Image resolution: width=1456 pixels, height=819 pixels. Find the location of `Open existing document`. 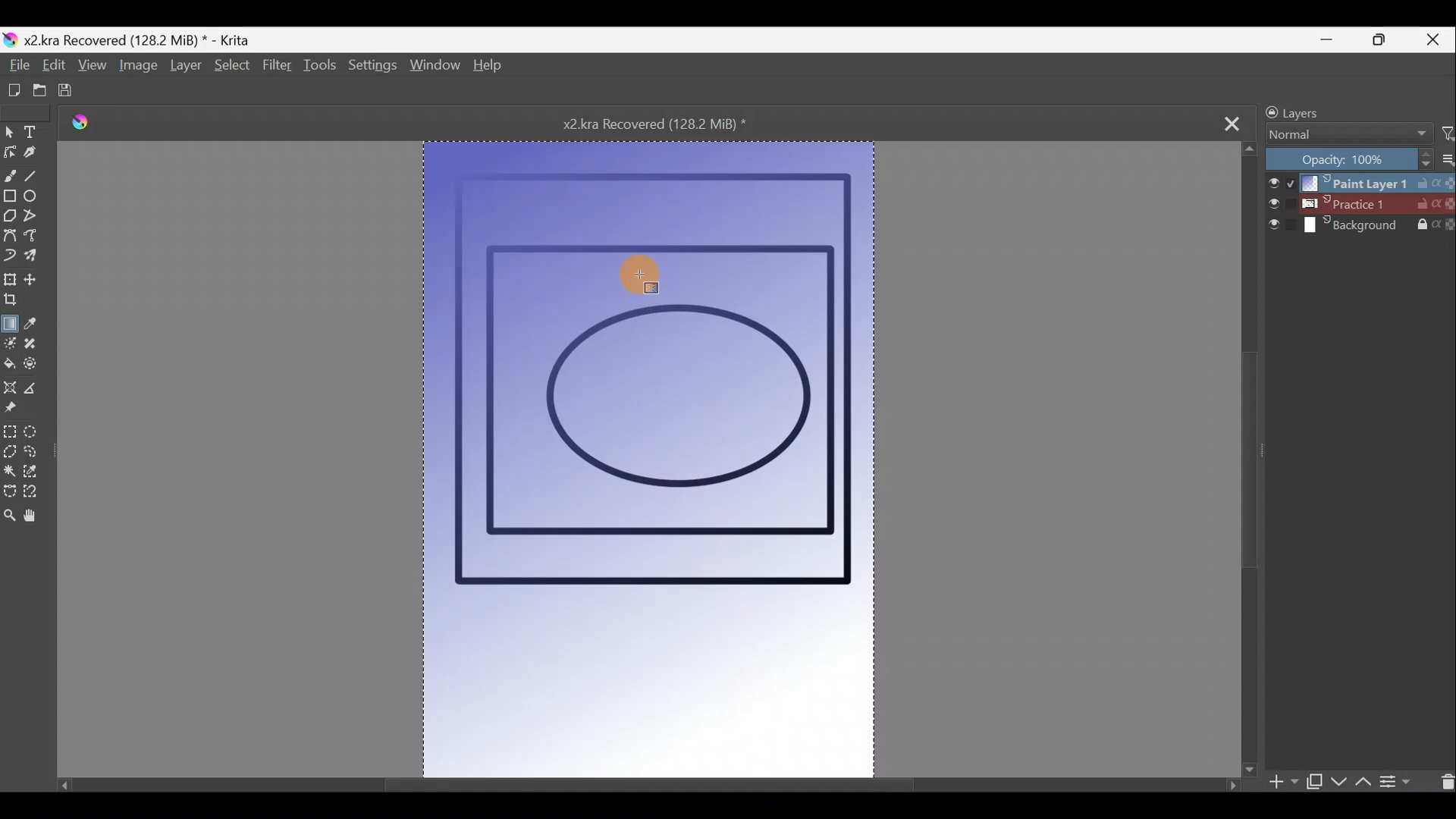

Open existing document is located at coordinates (33, 91).